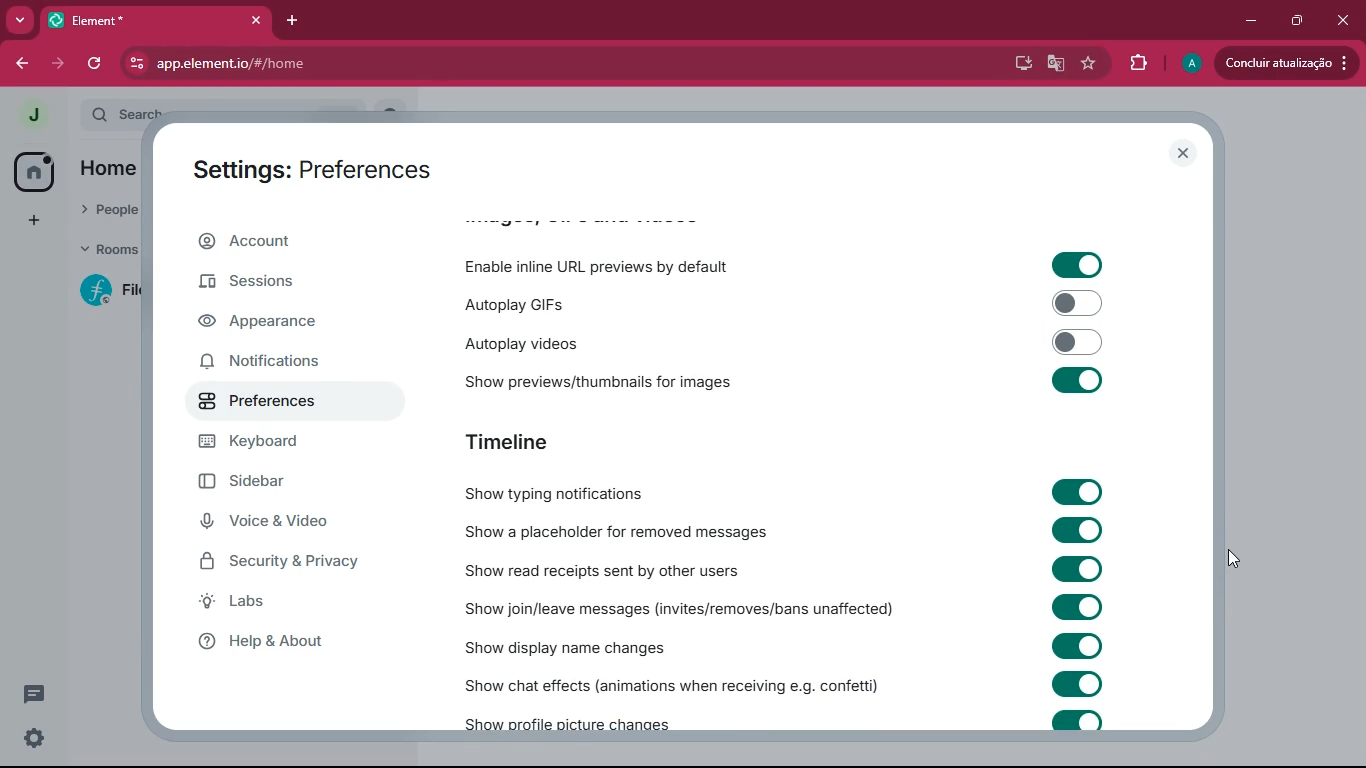  I want to click on show read receipts sent by other users, so click(616, 568).